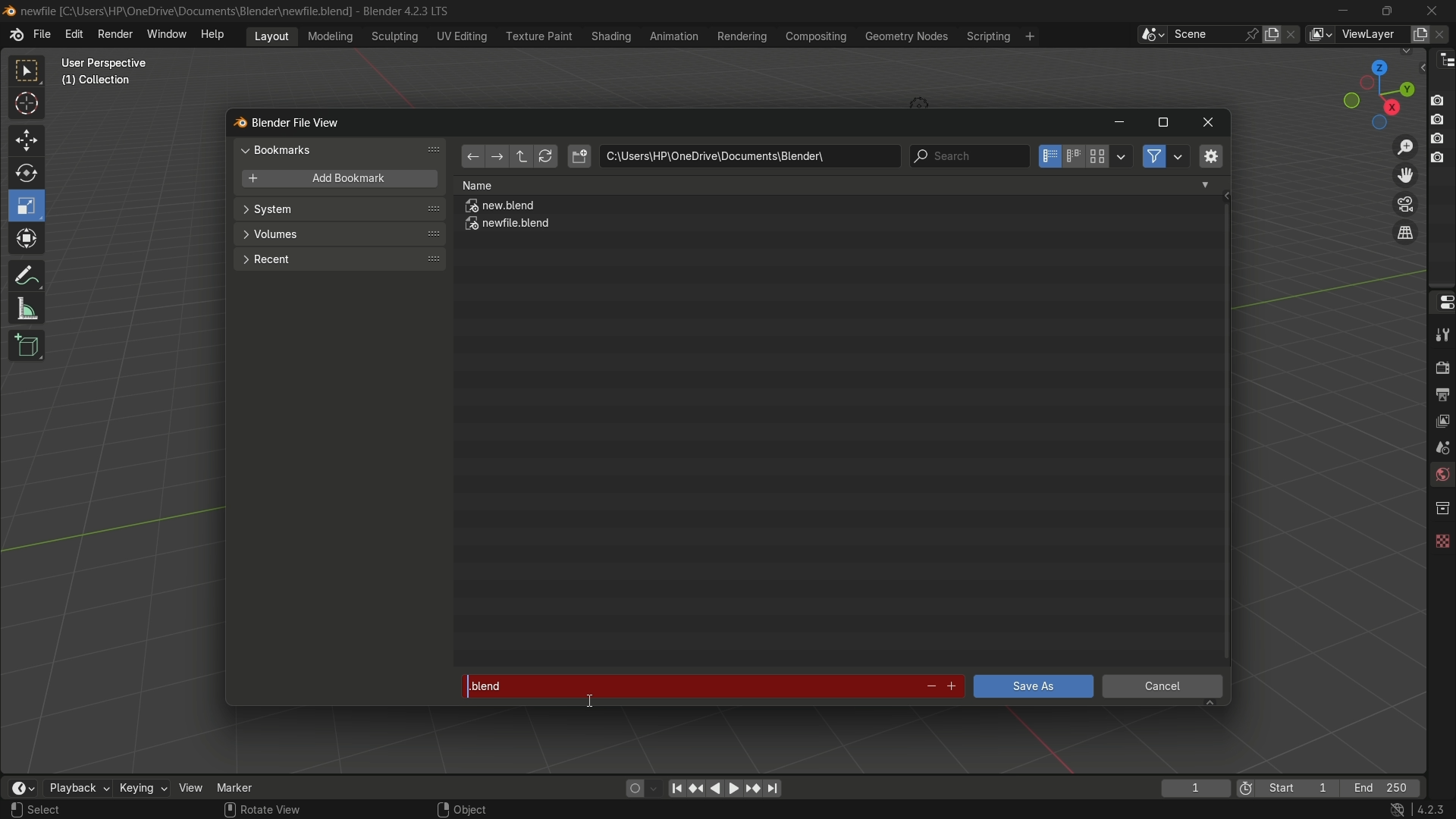 The height and width of the screenshot is (819, 1456). What do you see at coordinates (1382, 789) in the screenshot?
I see `final frame of the playback` at bounding box center [1382, 789].